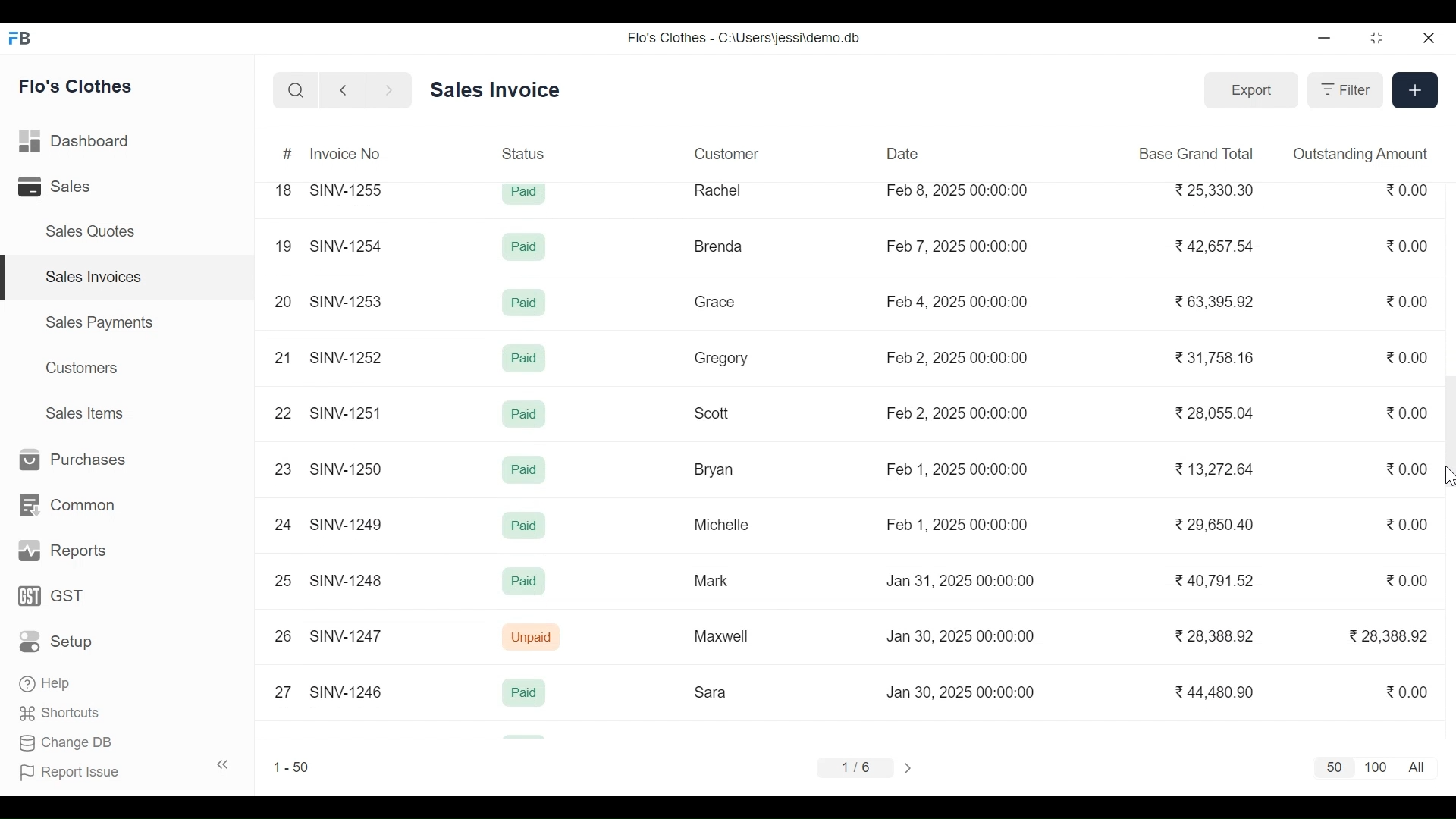  Describe the element at coordinates (1409, 690) in the screenshot. I see `0.00` at that location.